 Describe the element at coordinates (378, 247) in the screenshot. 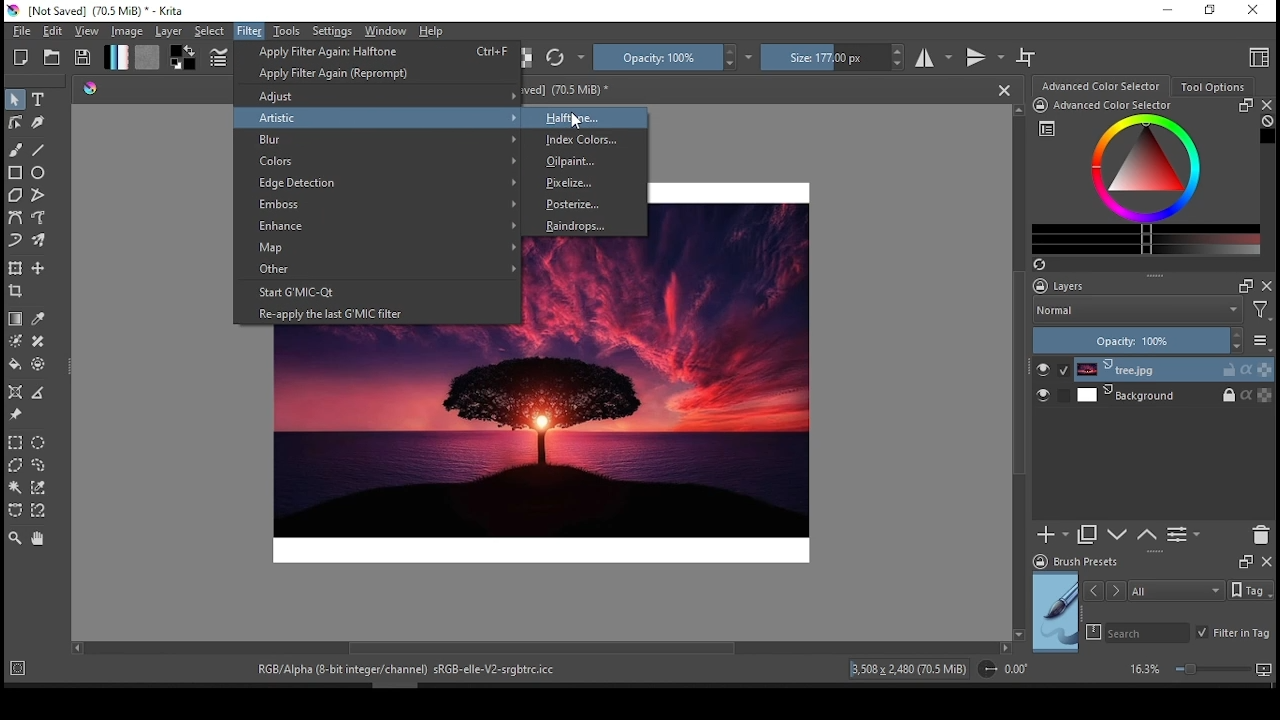

I see `map` at that location.